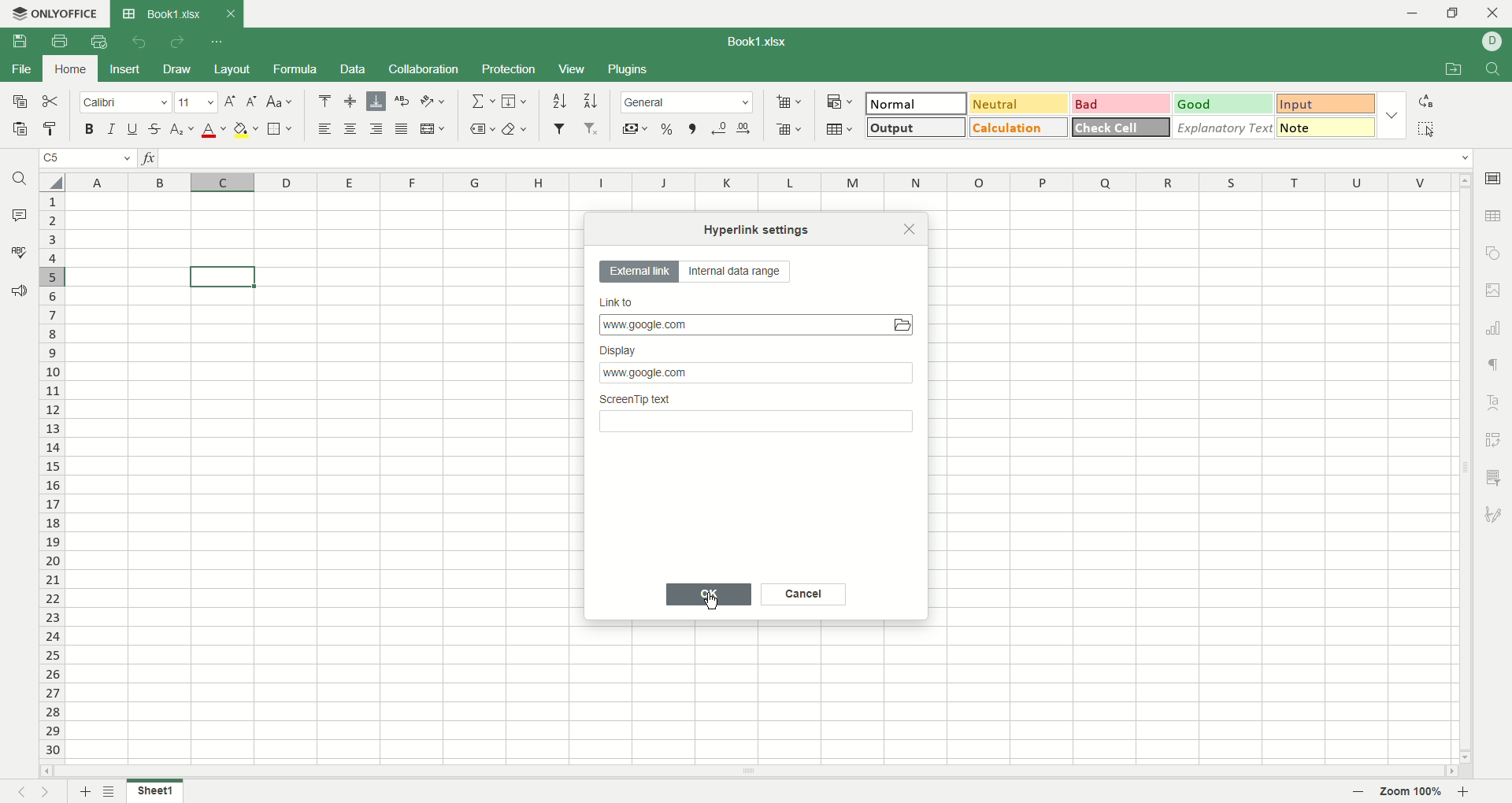 This screenshot has width=1512, height=803. I want to click on normal, so click(917, 103).